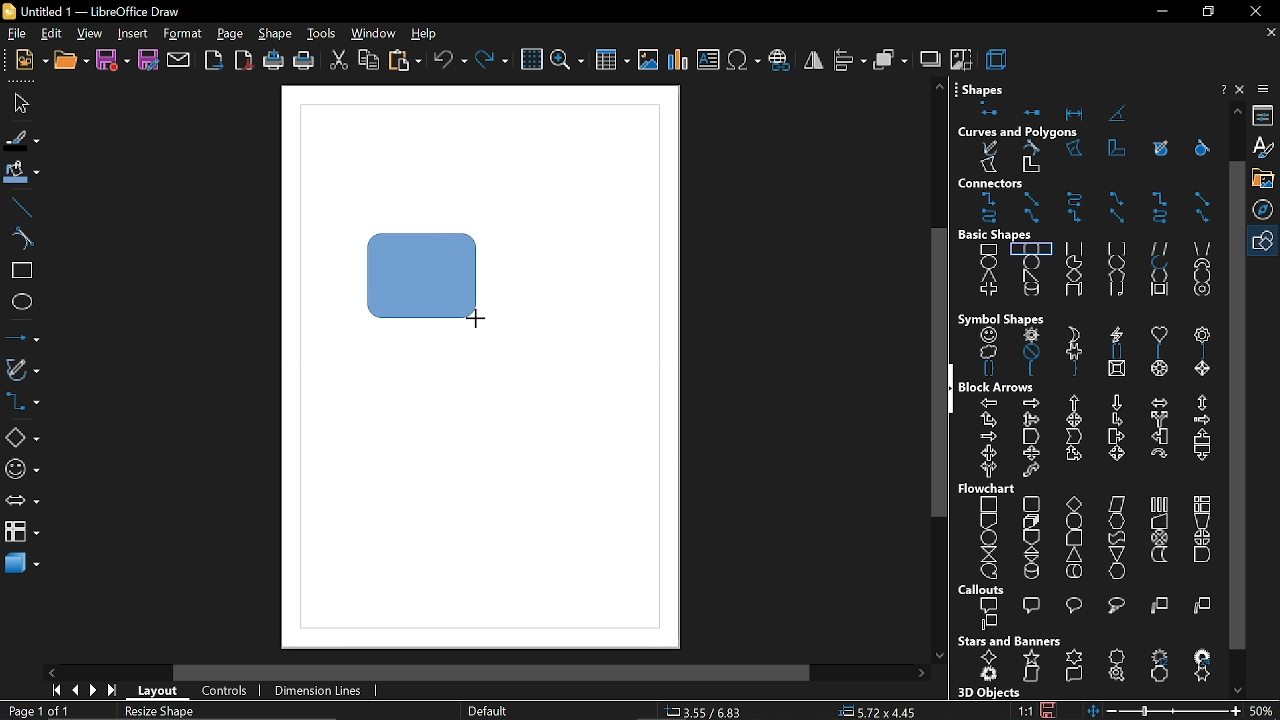  Describe the element at coordinates (21, 438) in the screenshot. I see `basic shapes` at that location.